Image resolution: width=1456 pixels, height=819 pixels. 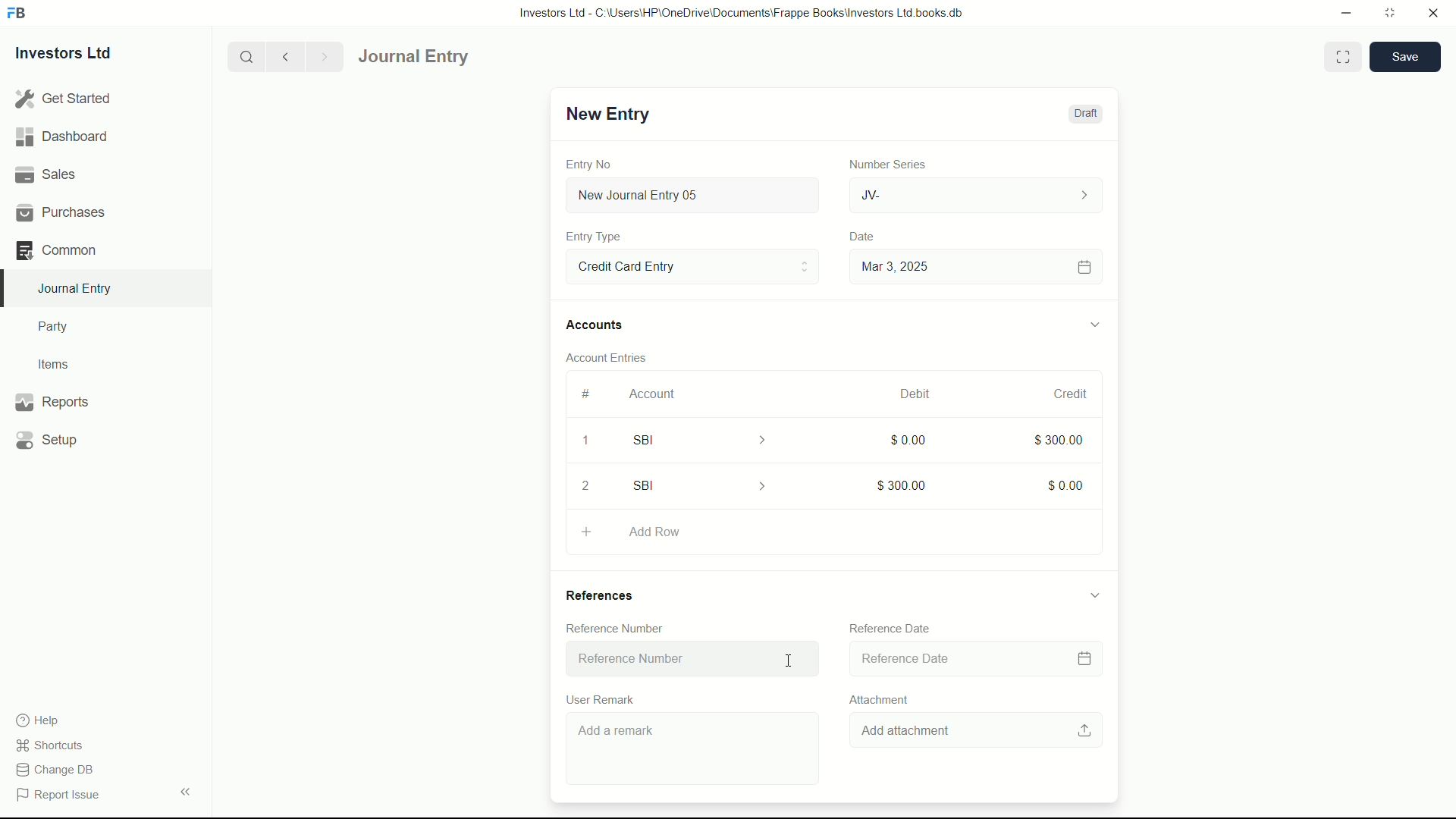 I want to click on 1, so click(x=585, y=443).